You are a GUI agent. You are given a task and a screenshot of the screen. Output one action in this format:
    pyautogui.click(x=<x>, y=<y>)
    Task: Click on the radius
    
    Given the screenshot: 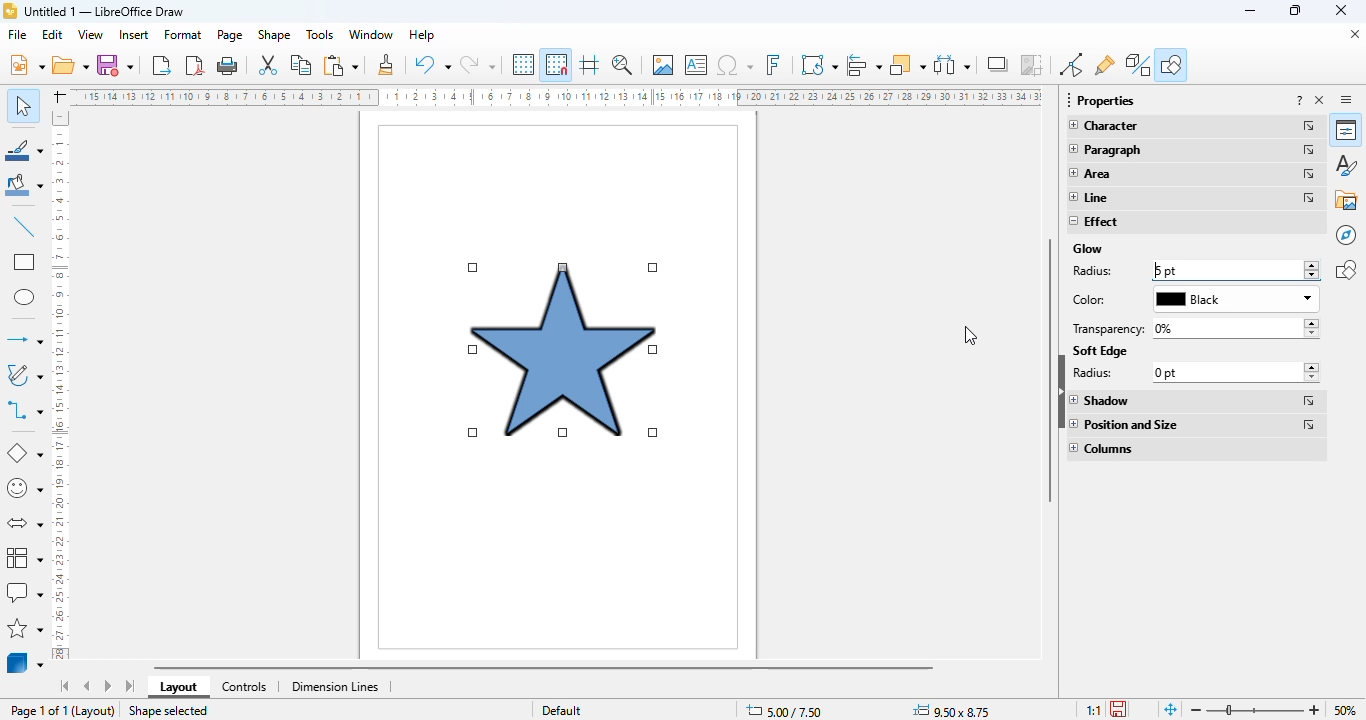 What is the action you would take?
    pyautogui.click(x=1106, y=271)
    